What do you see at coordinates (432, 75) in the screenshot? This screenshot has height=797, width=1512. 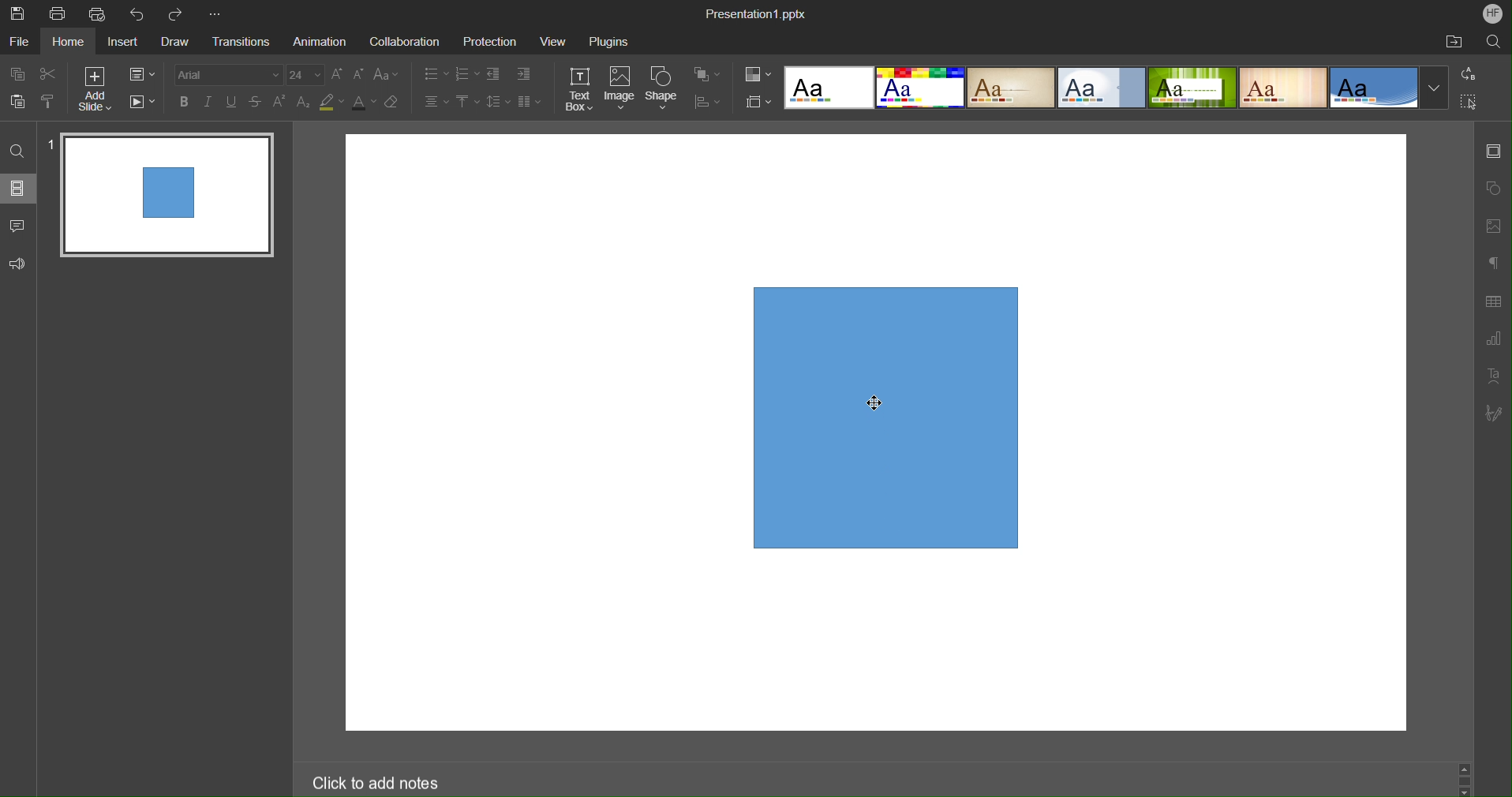 I see `Bullet List` at bounding box center [432, 75].